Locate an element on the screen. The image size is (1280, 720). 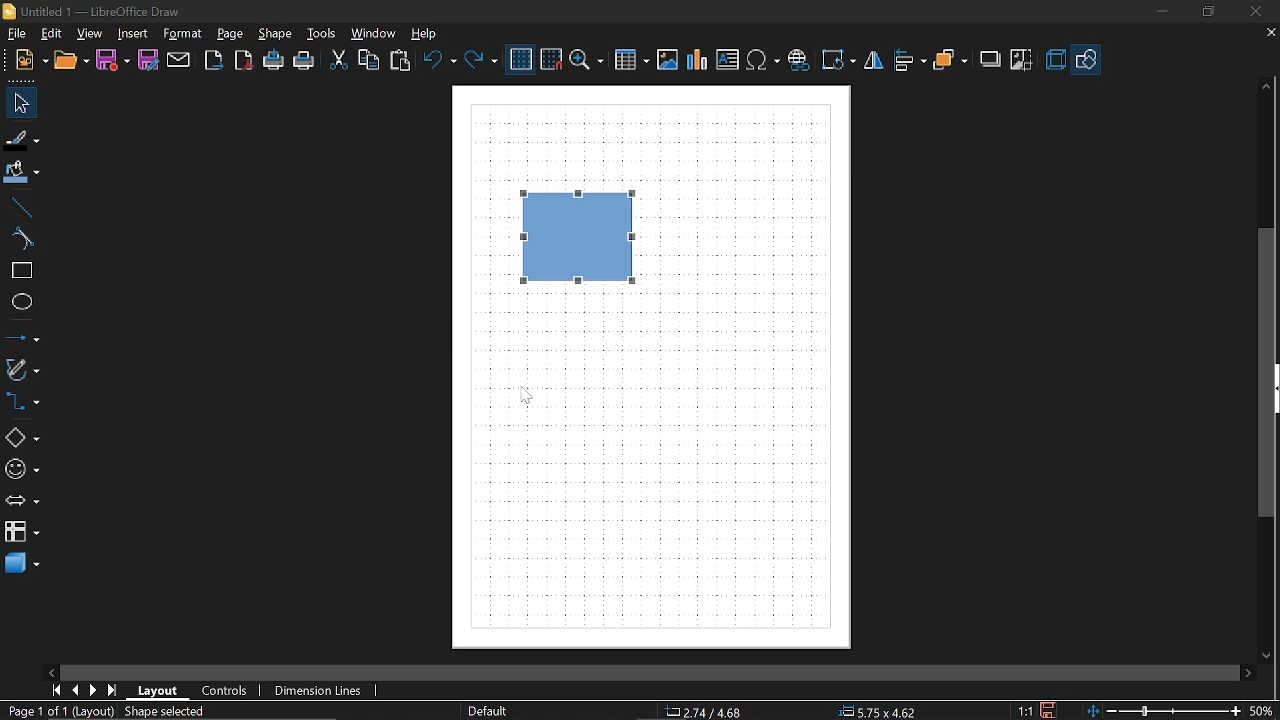
Edit is located at coordinates (50, 33).